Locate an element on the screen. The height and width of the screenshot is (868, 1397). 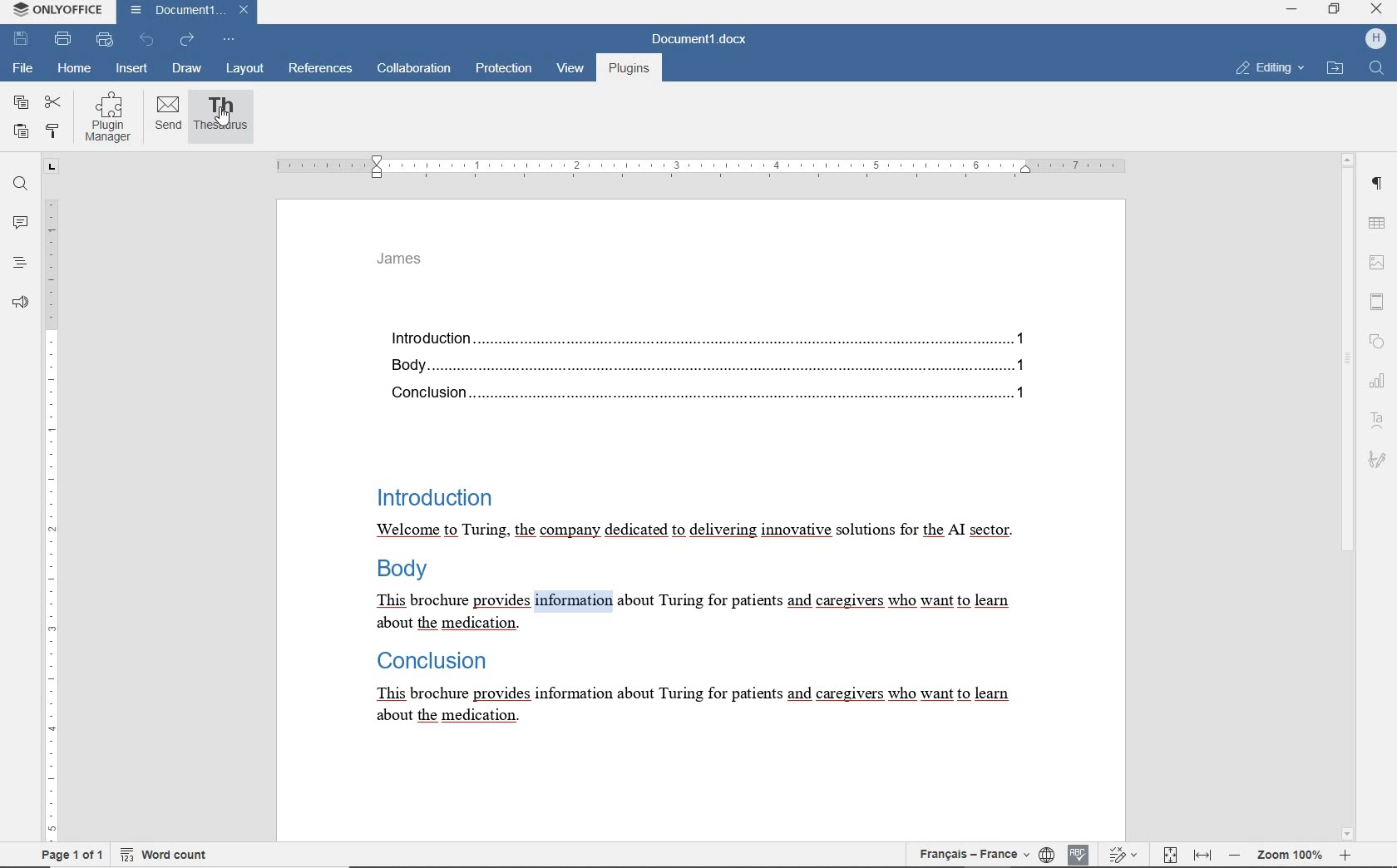
FIT TO WIDTH is located at coordinates (1200, 854).